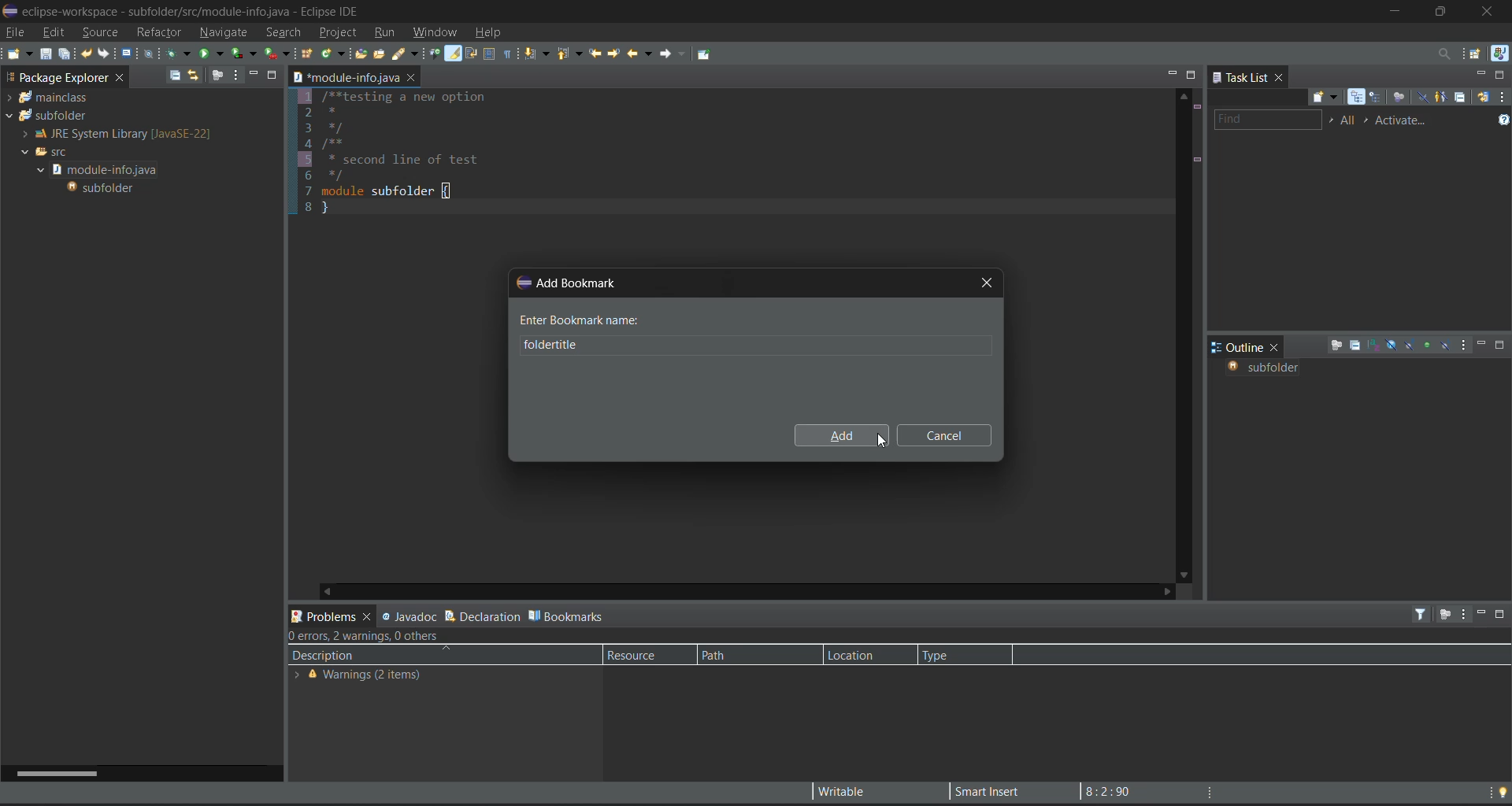  Describe the element at coordinates (428, 154) in the screenshot. I see `1 /**testing a new option 2 * 3 */ 4 /** 5 * second line of test 6 */ 7 module subfolder{ 8 }` at that location.